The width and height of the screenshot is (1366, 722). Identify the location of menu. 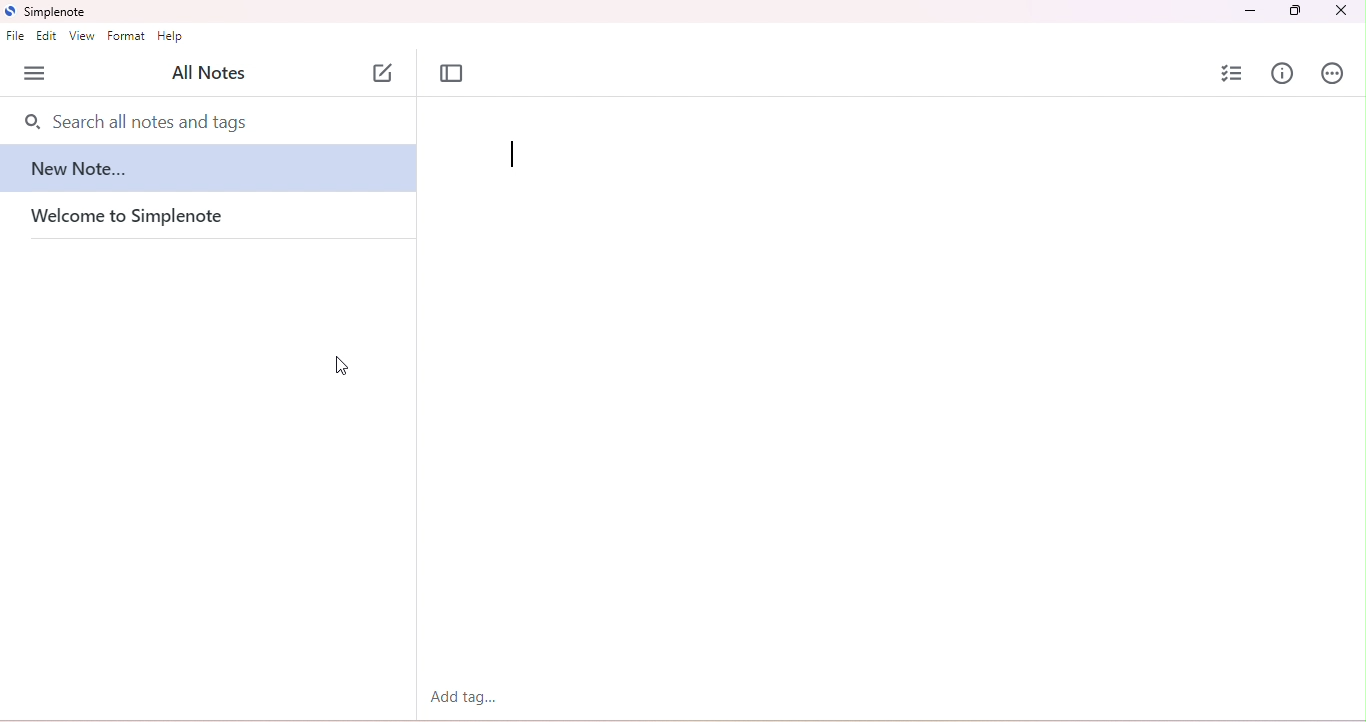
(38, 73).